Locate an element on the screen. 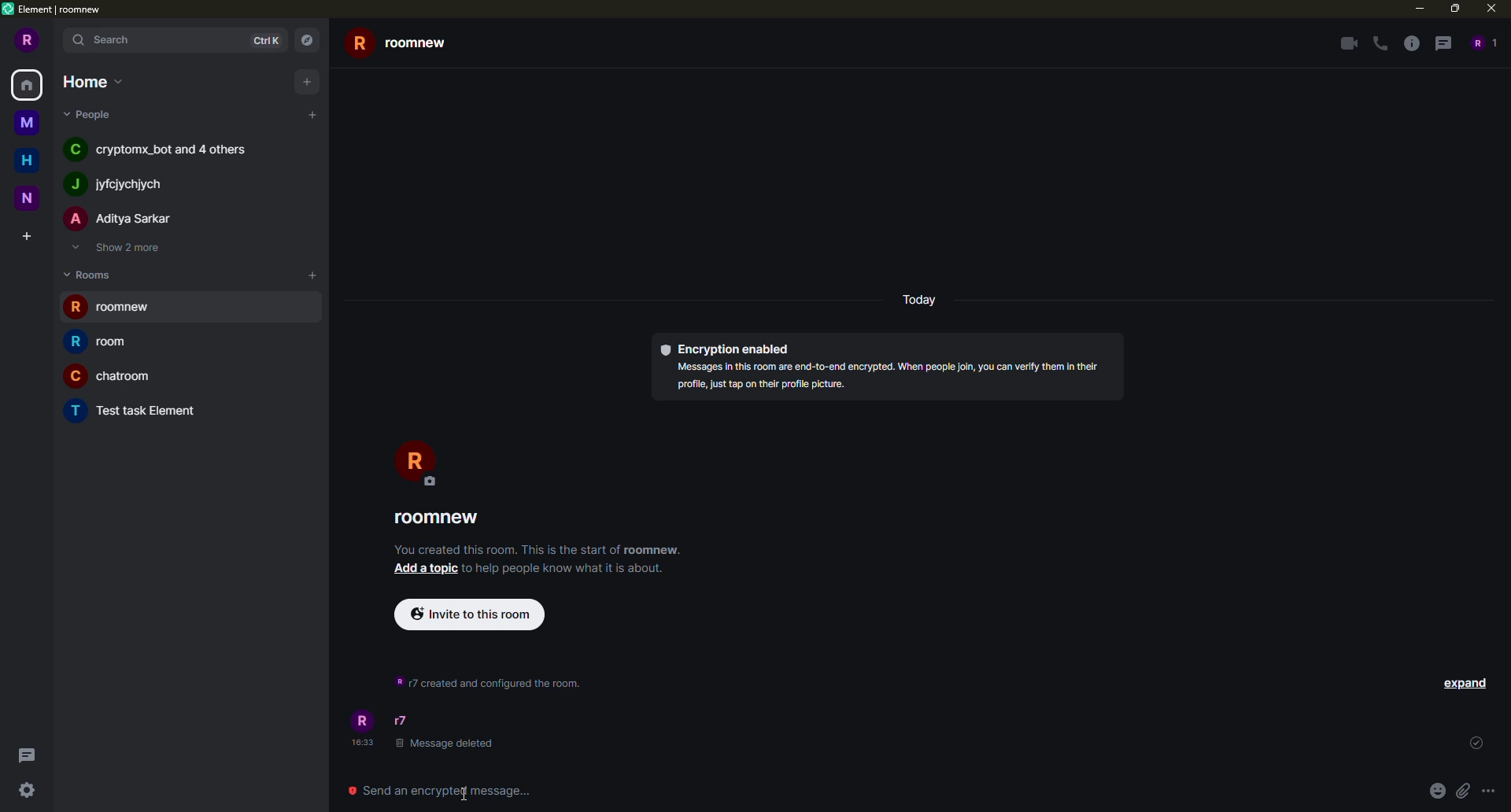 Image resolution: width=1511 pixels, height=812 pixels. room is located at coordinates (138, 412).